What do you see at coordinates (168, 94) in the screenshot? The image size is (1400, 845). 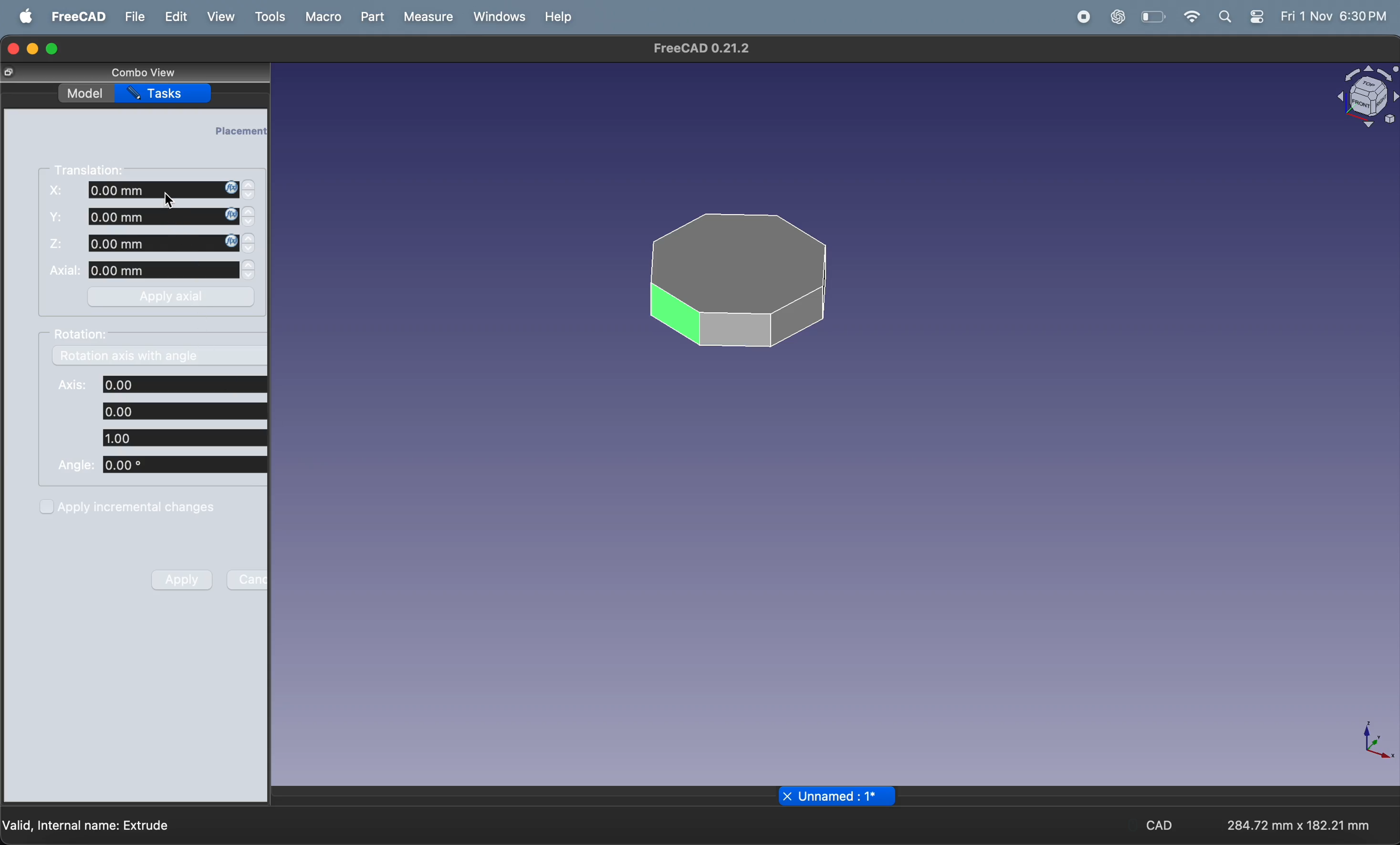 I see `tasks` at bounding box center [168, 94].